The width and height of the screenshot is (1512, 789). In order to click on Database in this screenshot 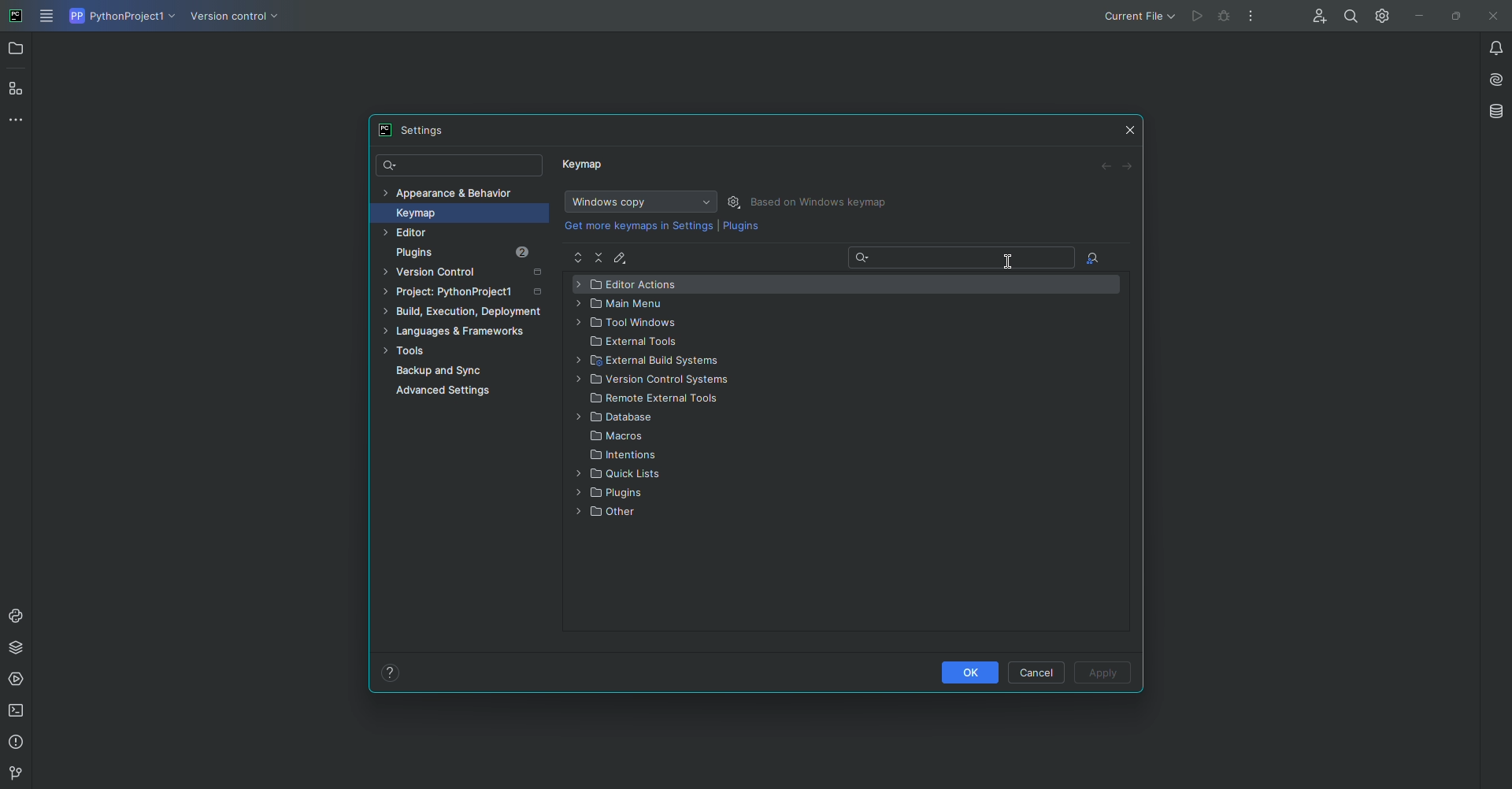, I will do `click(617, 418)`.